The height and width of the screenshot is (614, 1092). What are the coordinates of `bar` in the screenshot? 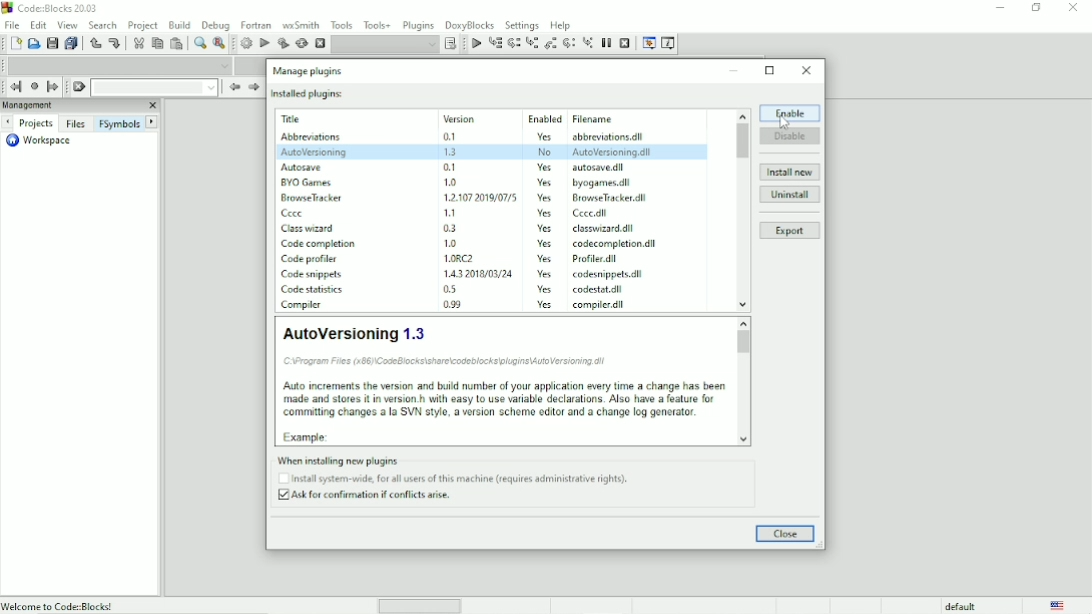 It's located at (420, 607).